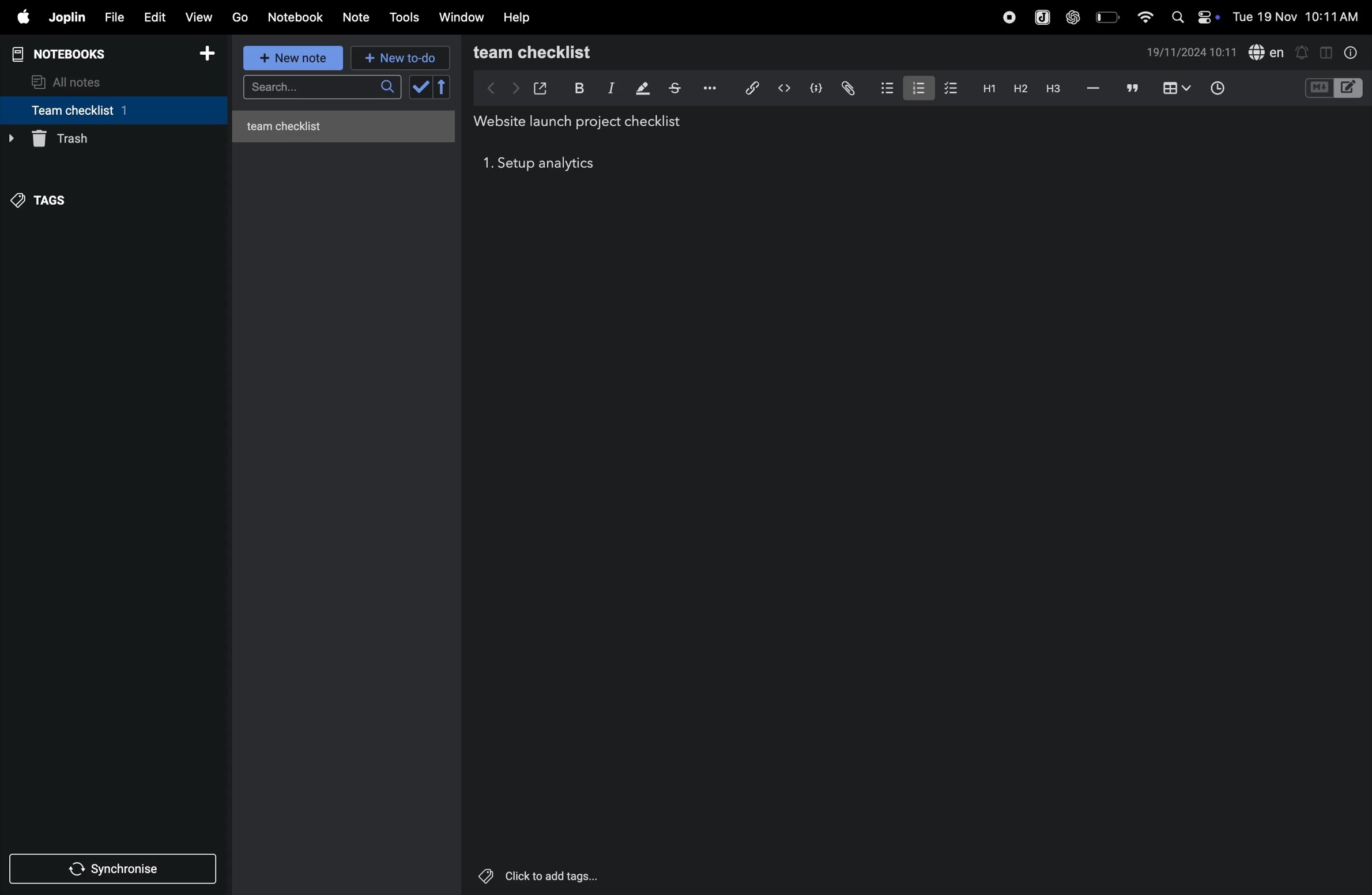 The width and height of the screenshot is (1372, 895). What do you see at coordinates (406, 17) in the screenshot?
I see `tools` at bounding box center [406, 17].